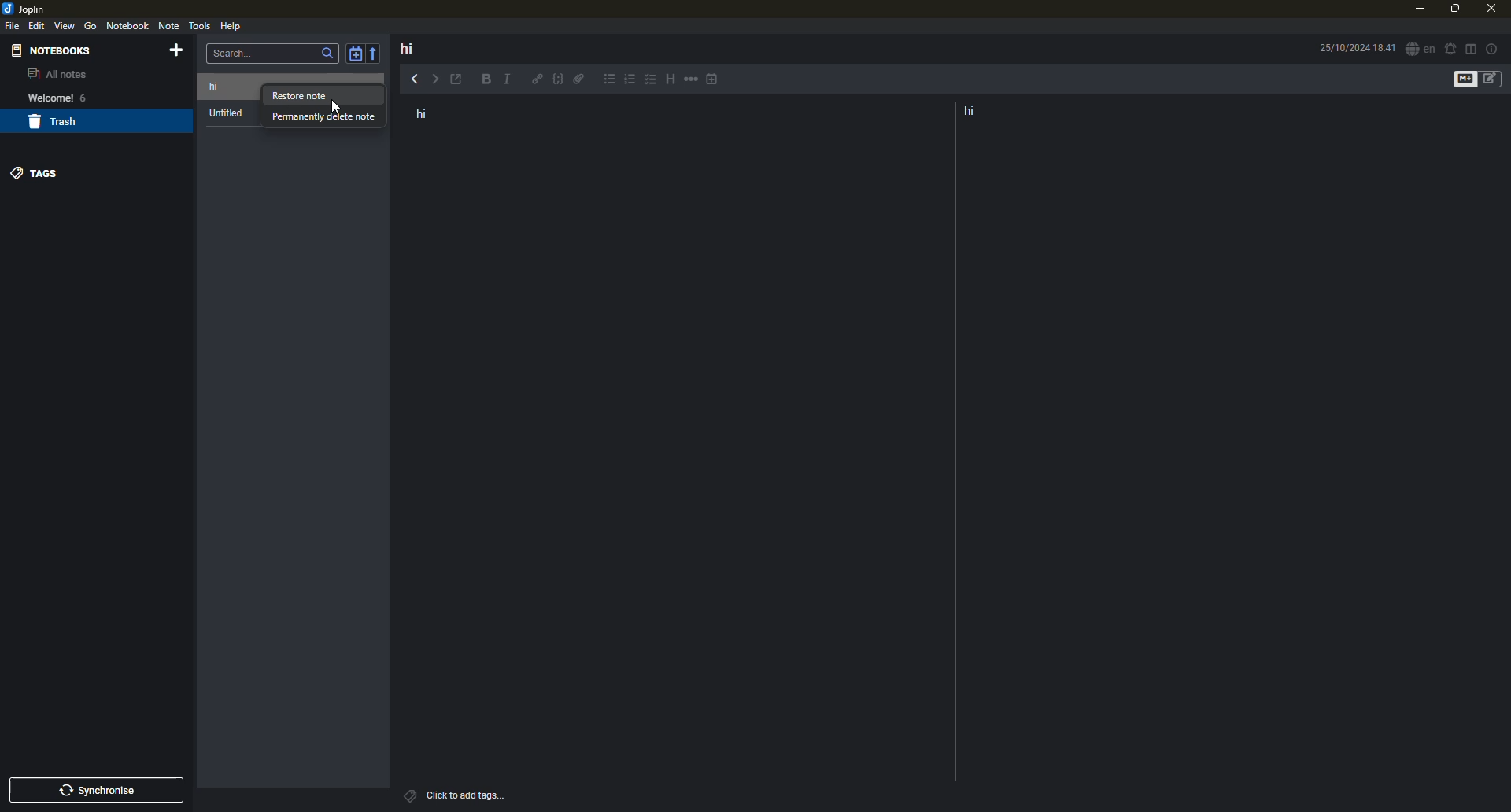 Image resolution: width=1511 pixels, height=812 pixels. I want to click on hi, so click(407, 48).